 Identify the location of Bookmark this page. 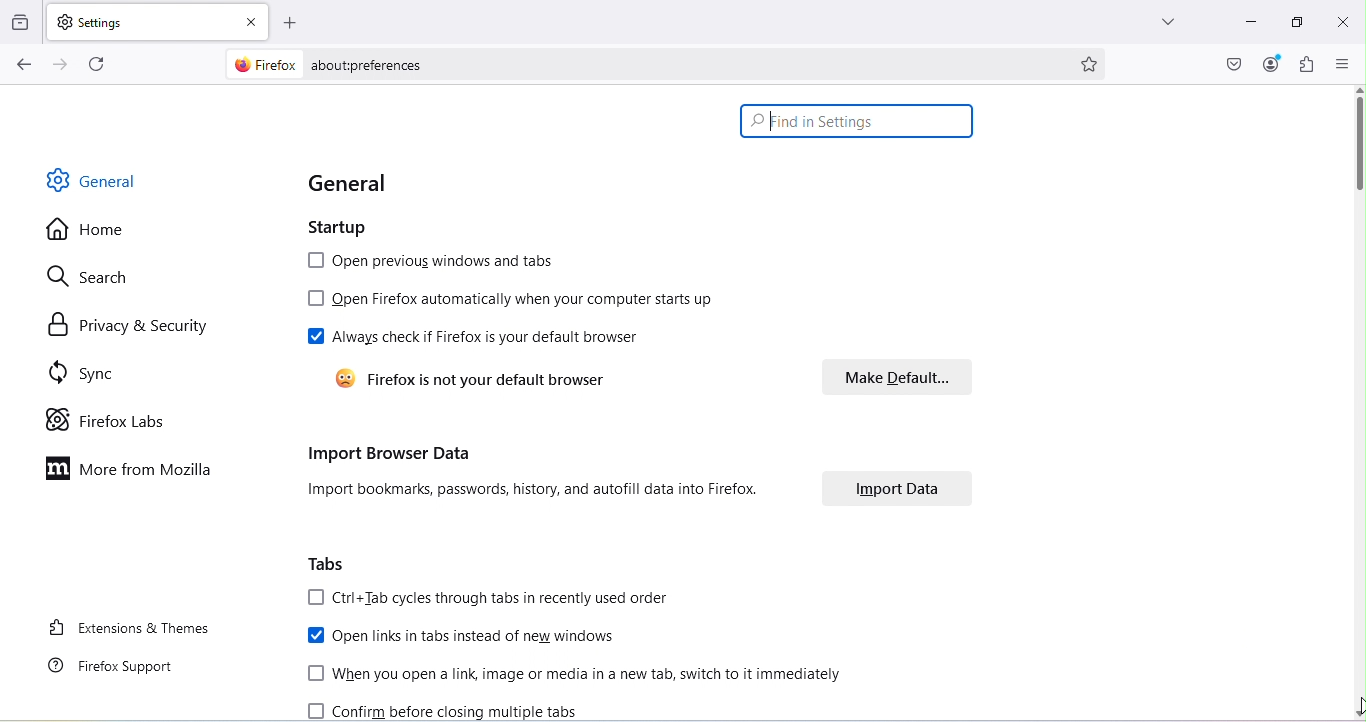
(1101, 66).